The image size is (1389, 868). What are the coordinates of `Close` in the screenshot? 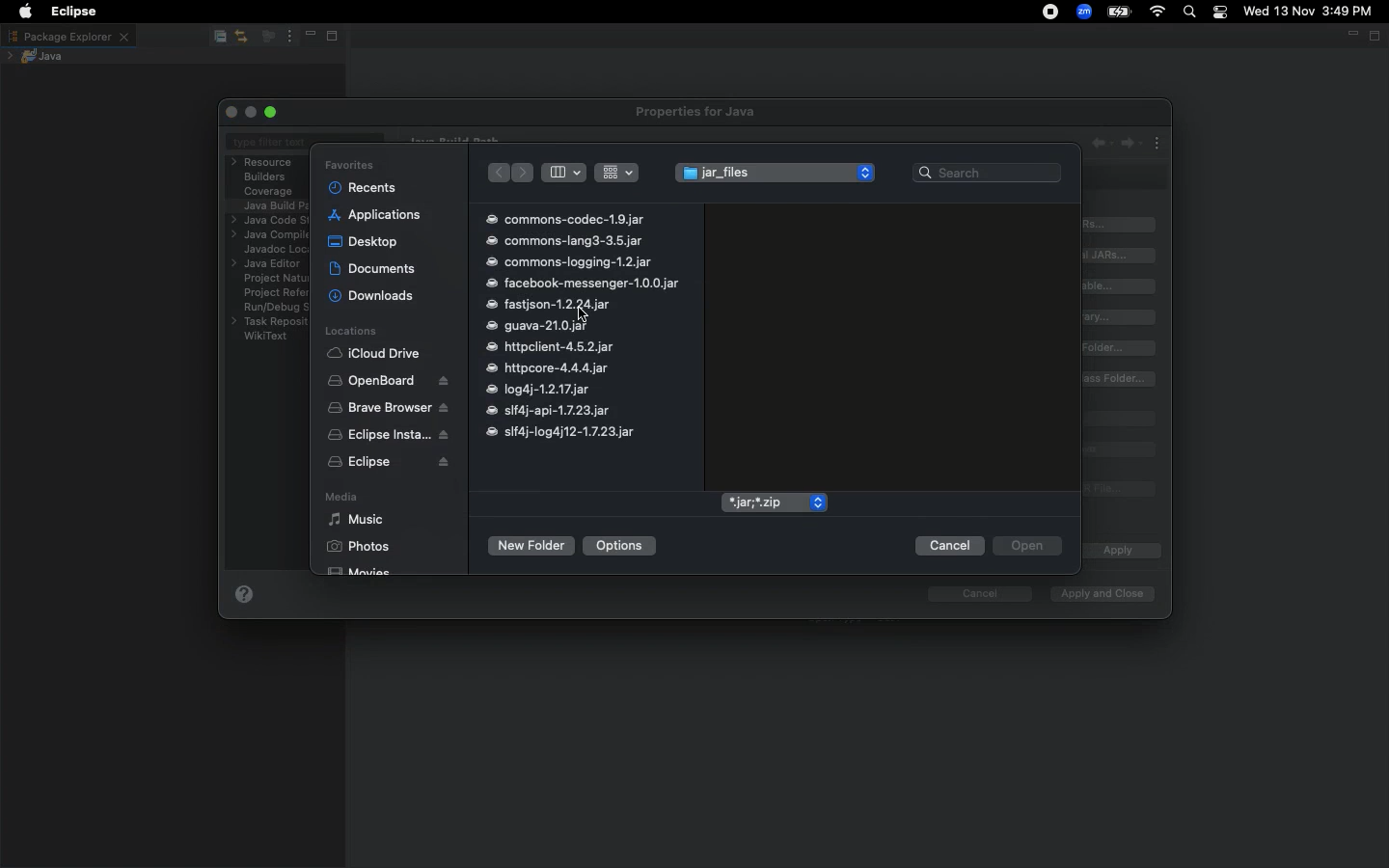 It's located at (233, 112).